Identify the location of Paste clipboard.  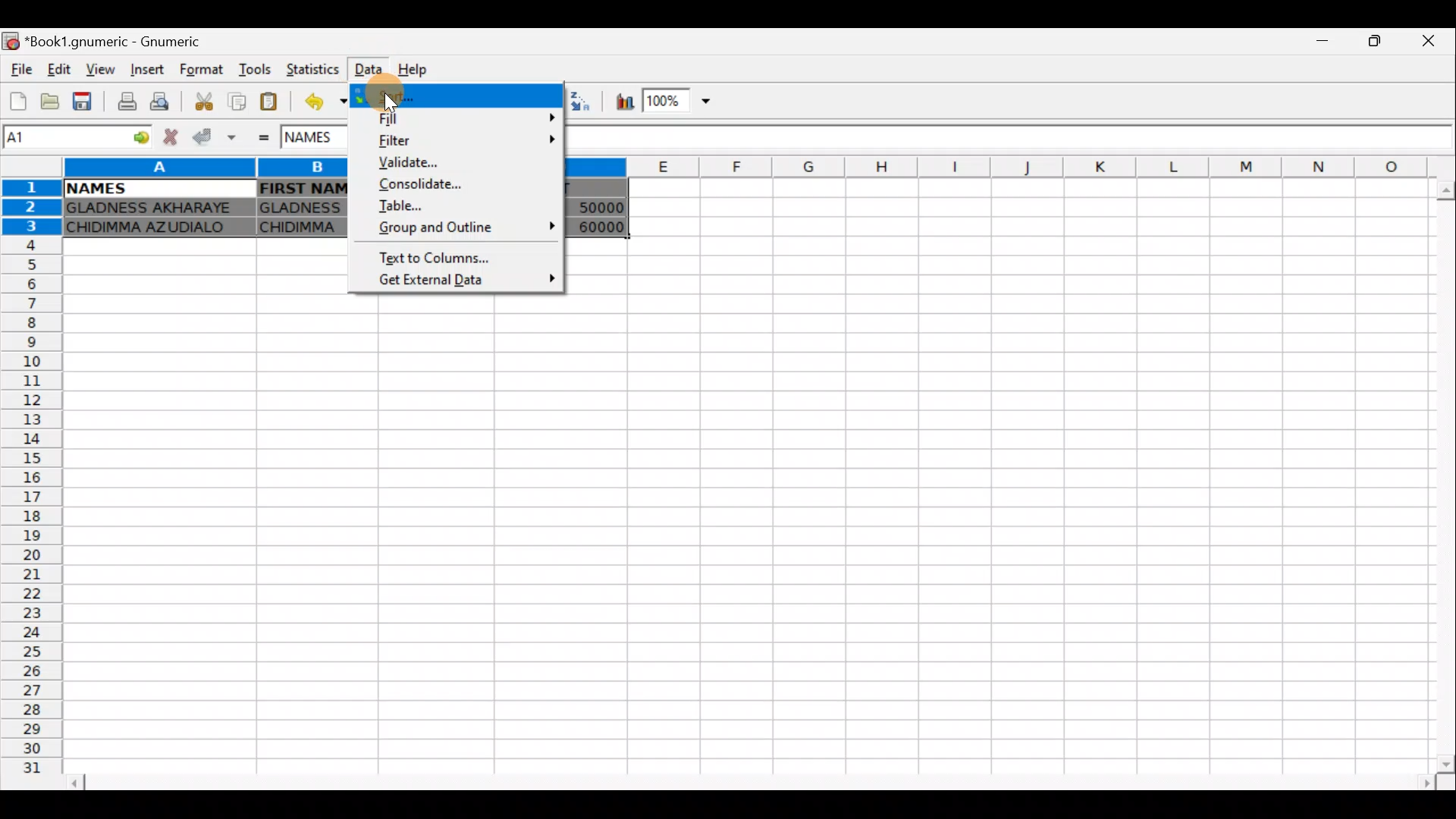
(268, 103).